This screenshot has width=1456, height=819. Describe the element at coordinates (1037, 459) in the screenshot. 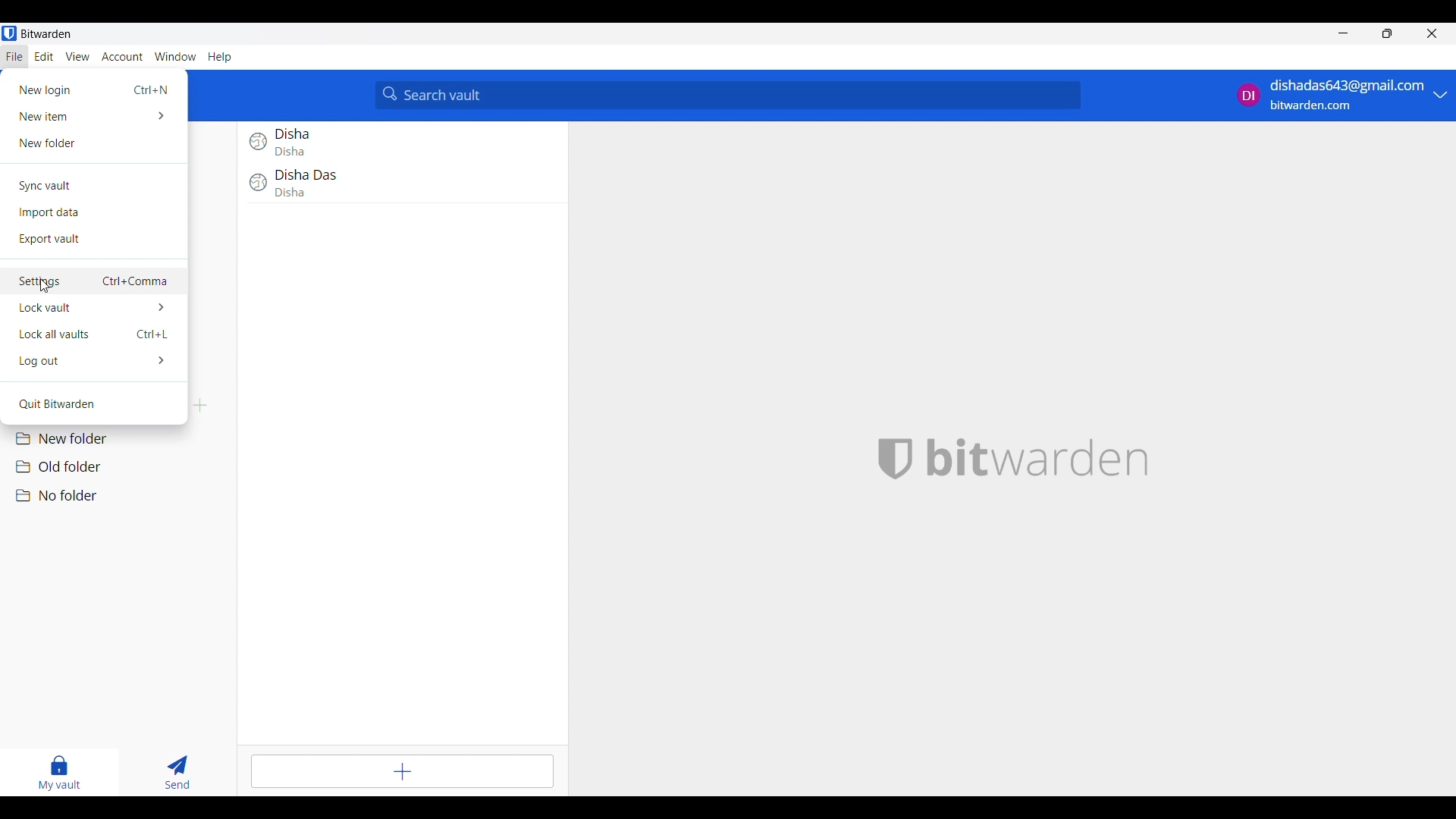

I see `Software logo and name` at that location.